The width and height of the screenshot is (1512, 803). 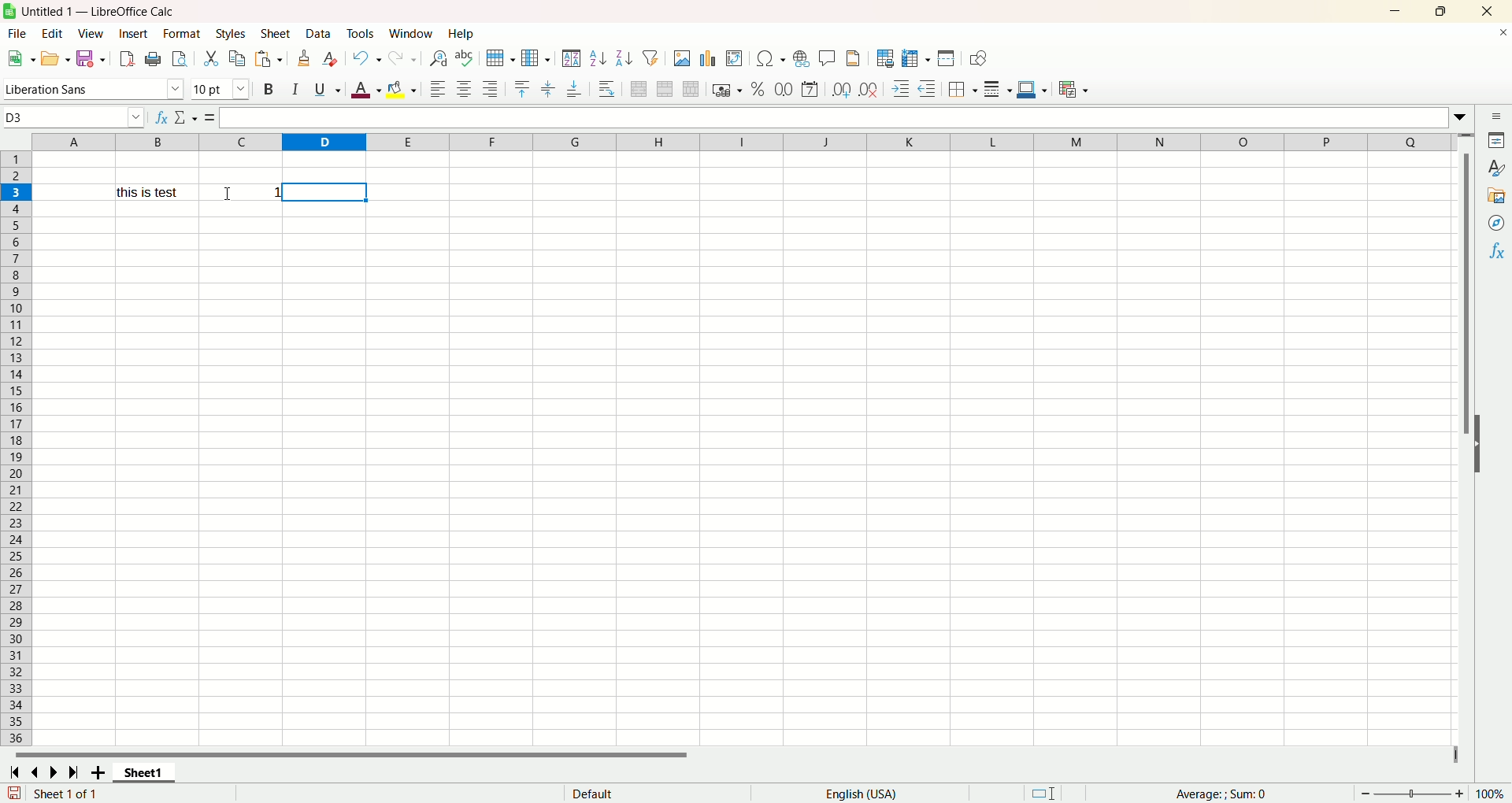 What do you see at coordinates (811, 90) in the screenshot?
I see `format as date` at bounding box center [811, 90].